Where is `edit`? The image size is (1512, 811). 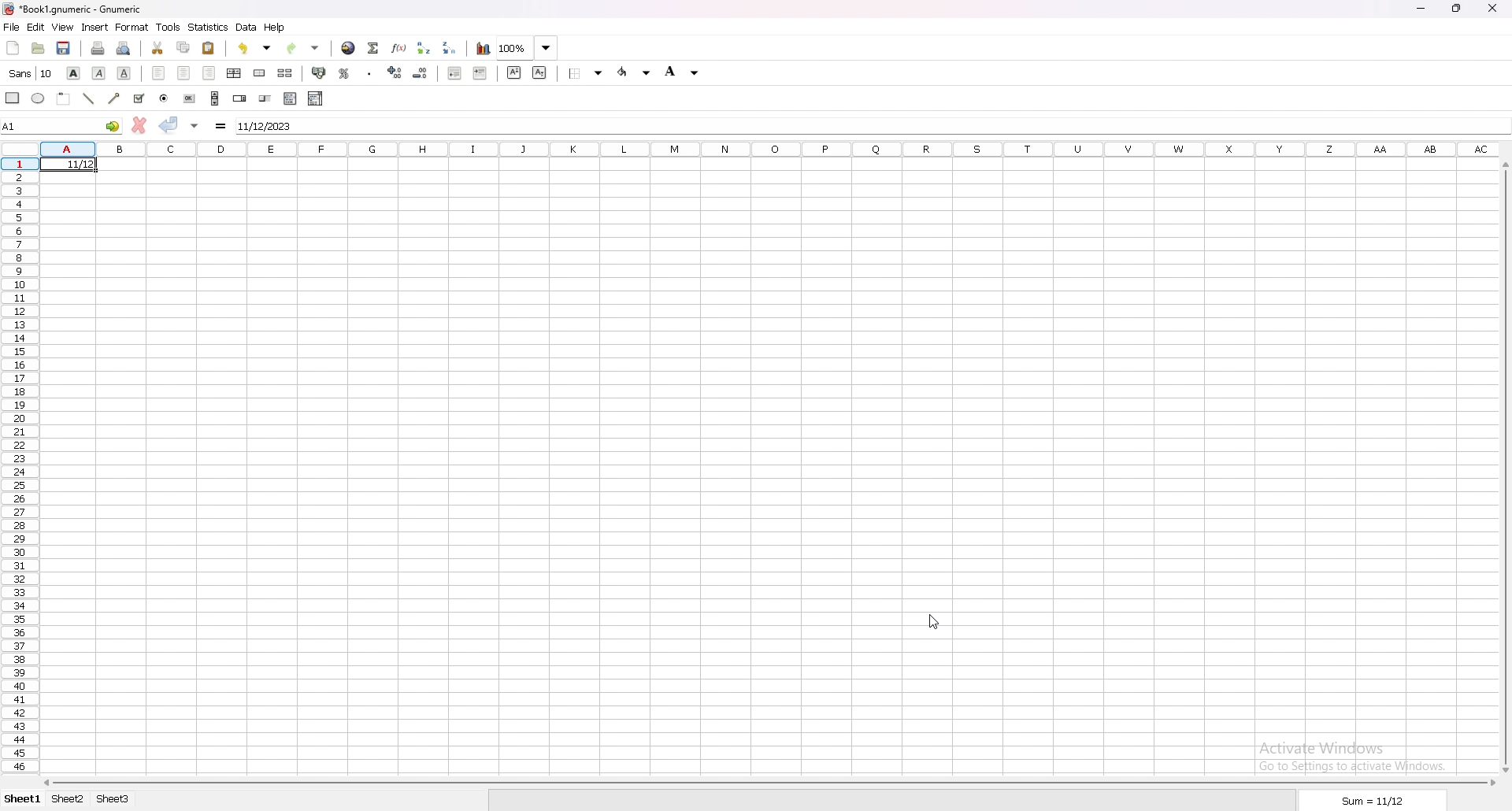 edit is located at coordinates (36, 27).